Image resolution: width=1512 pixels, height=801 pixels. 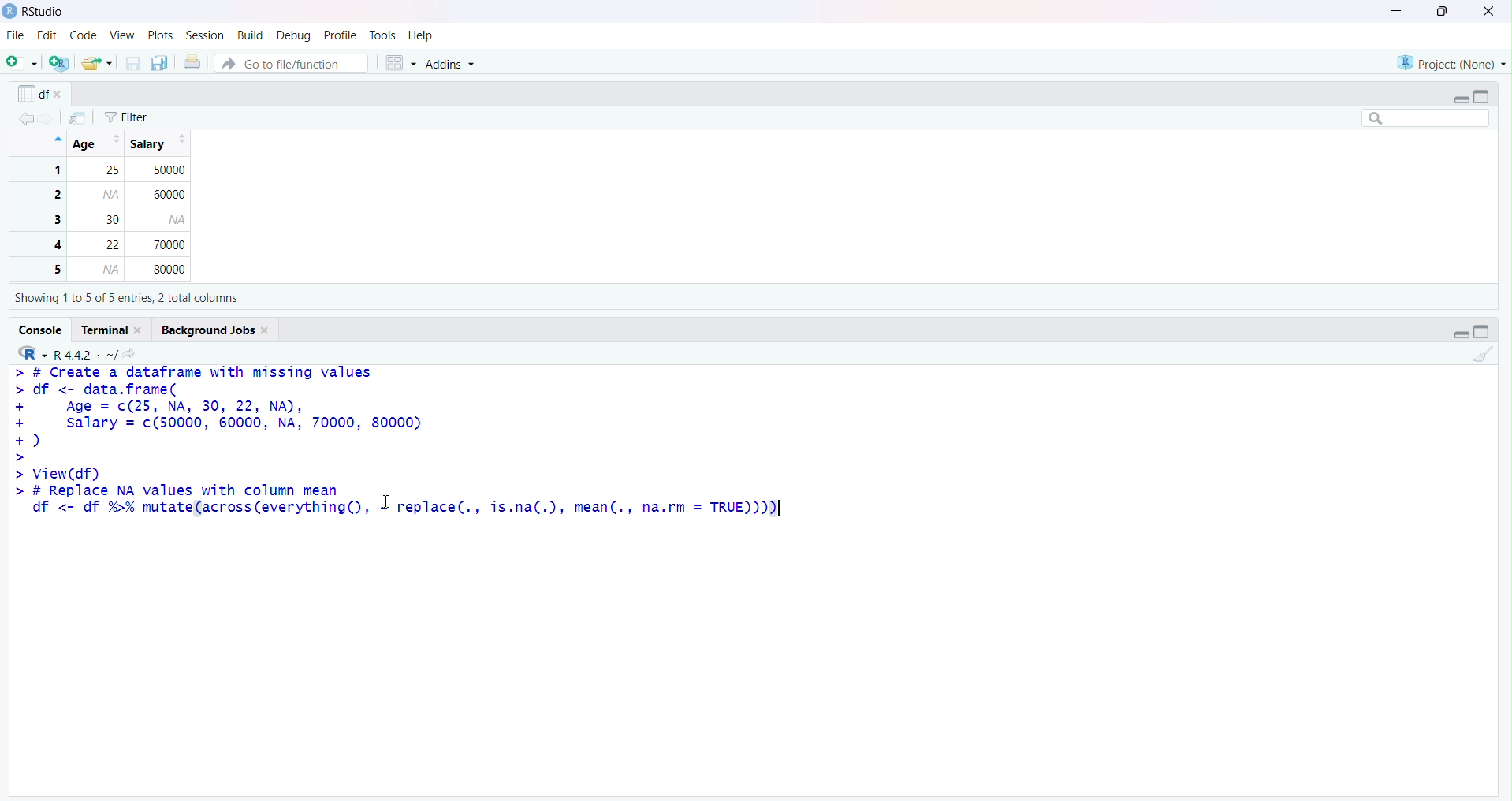 I want to click on Profile, so click(x=341, y=35).